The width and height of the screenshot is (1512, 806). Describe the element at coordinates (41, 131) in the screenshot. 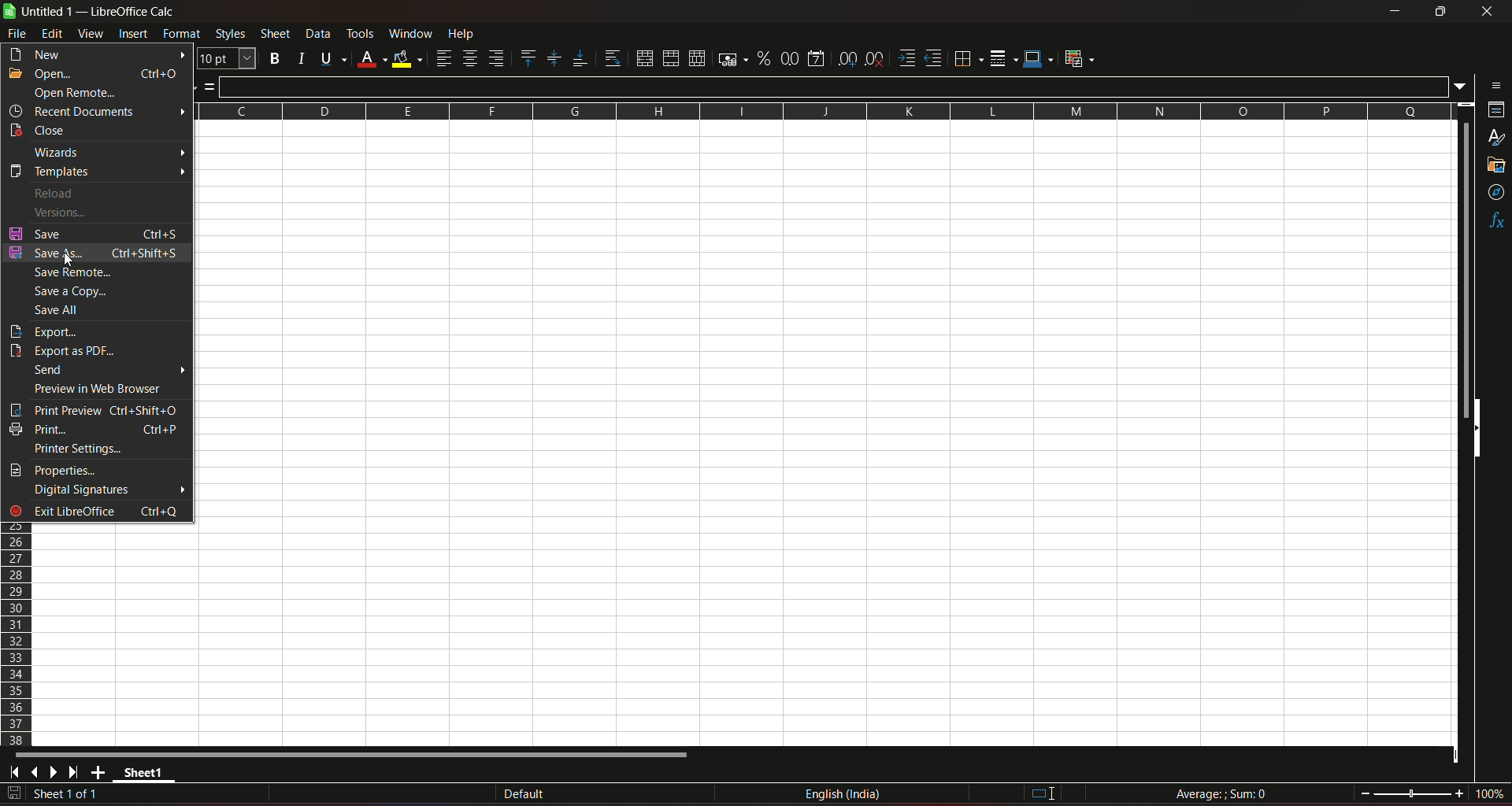

I see `close` at that location.